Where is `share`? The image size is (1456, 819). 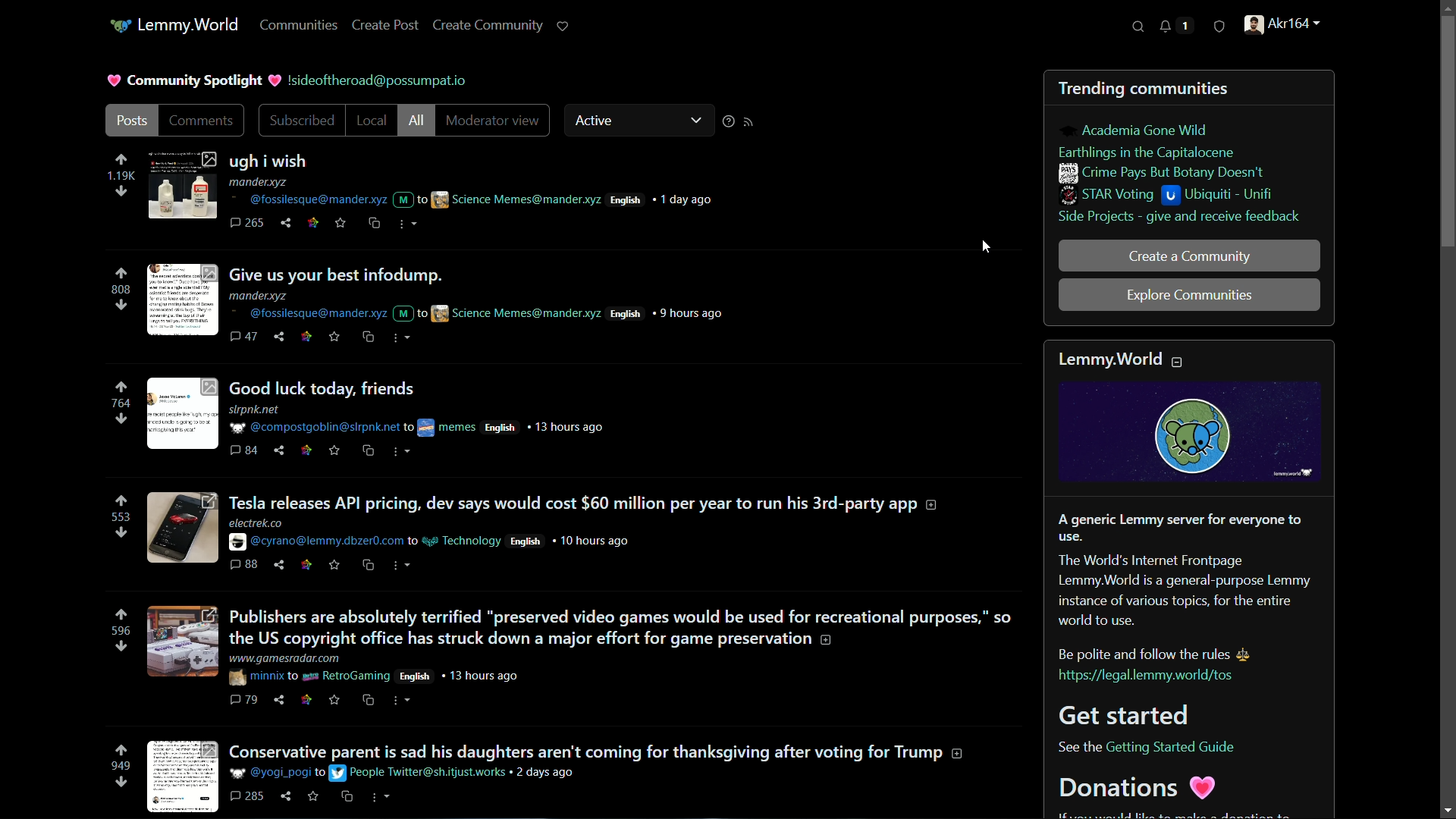 share is located at coordinates (288, 796).